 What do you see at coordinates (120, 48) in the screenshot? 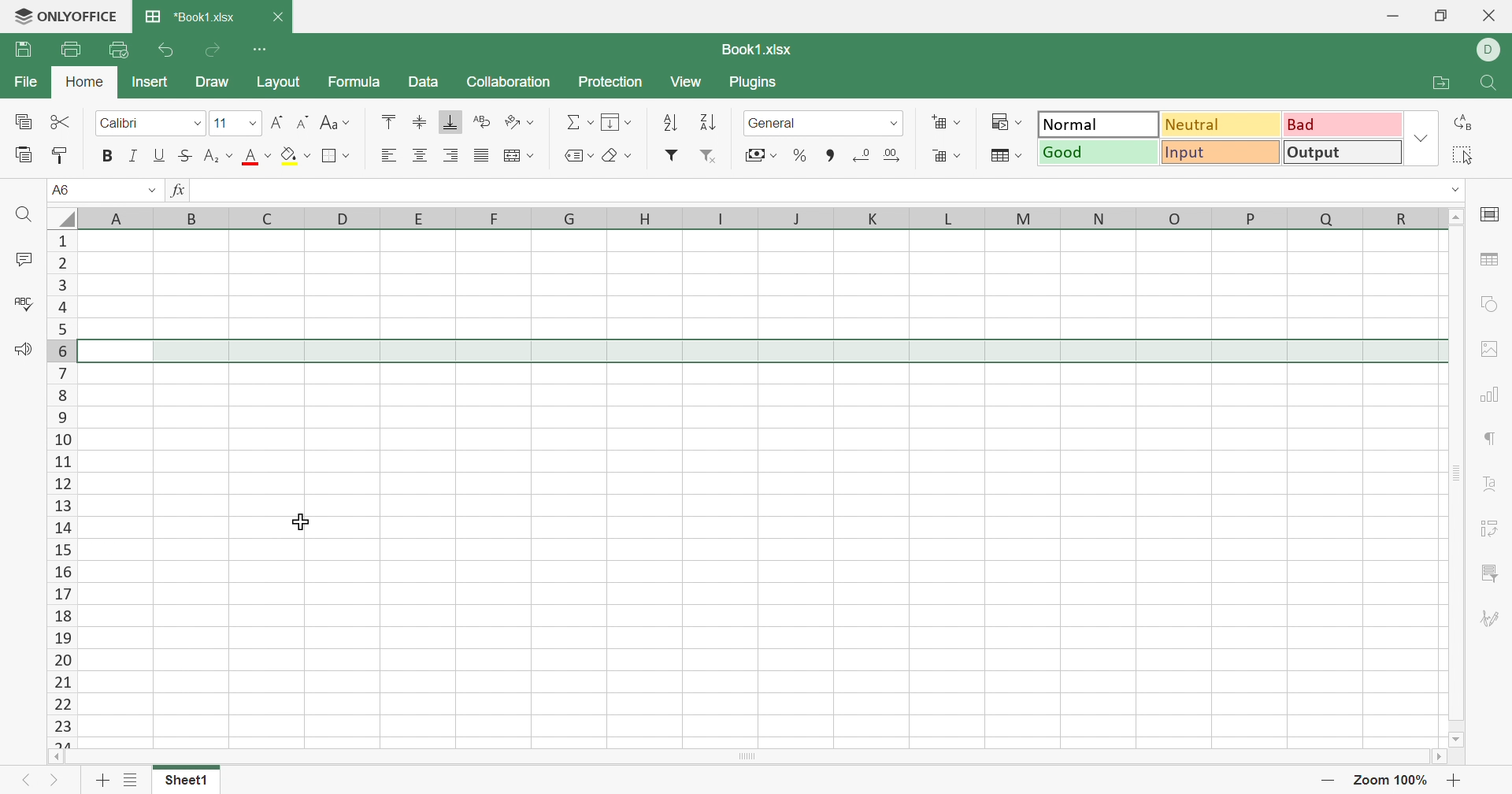
I see `Quick Print` at bounding box center [120, 48].